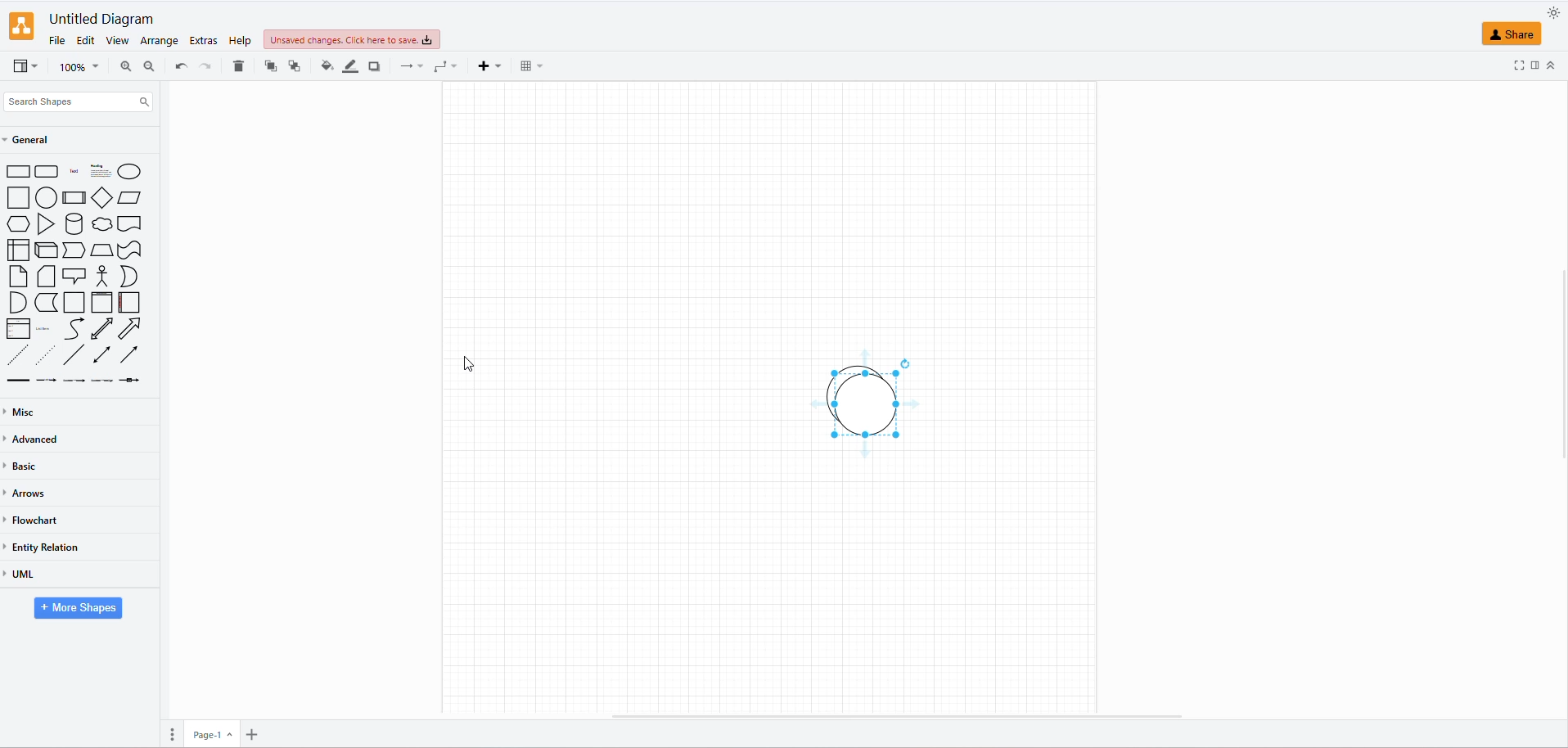 The width and height of the screenshot is (1568, 748). I want to click on ROUND RECTANGLE, so click(45, 169).